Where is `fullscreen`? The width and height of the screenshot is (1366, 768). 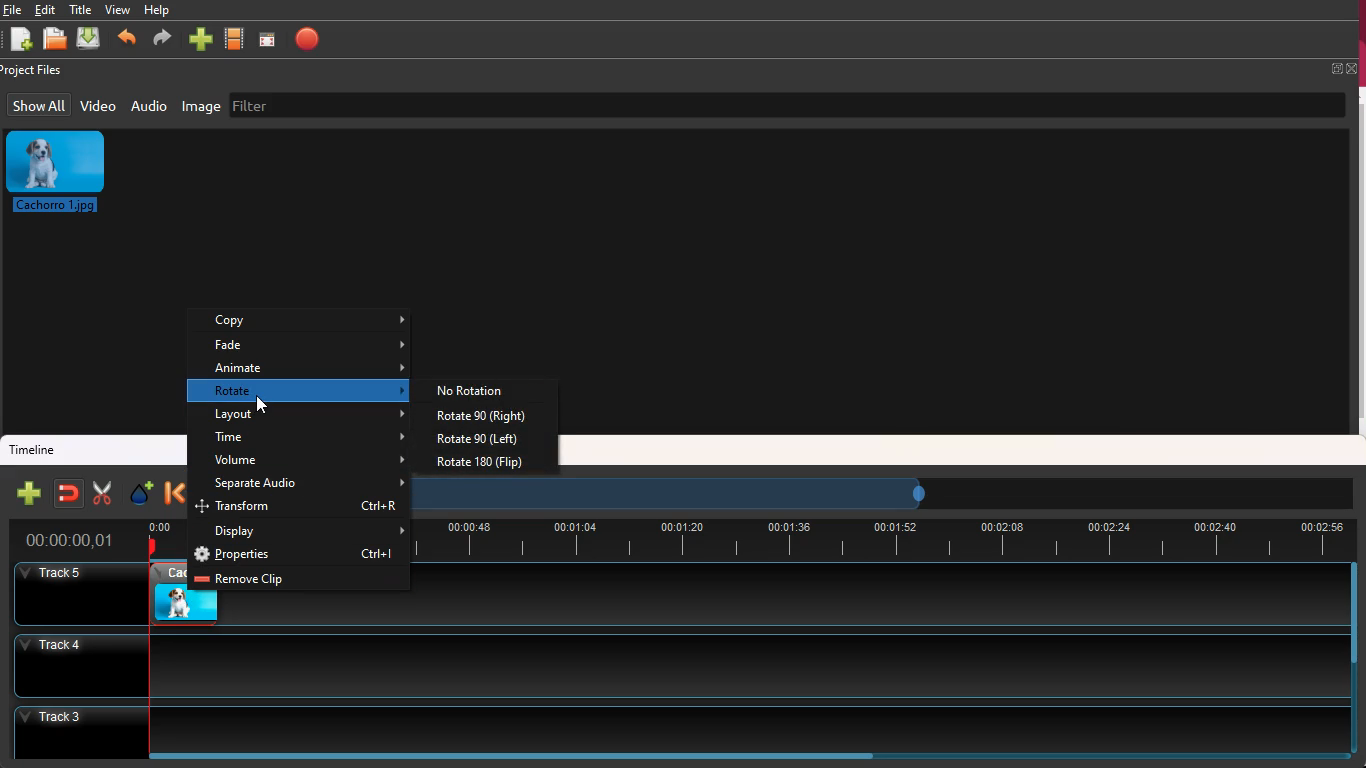
fullscreen is located at coordinates (1342, 66).